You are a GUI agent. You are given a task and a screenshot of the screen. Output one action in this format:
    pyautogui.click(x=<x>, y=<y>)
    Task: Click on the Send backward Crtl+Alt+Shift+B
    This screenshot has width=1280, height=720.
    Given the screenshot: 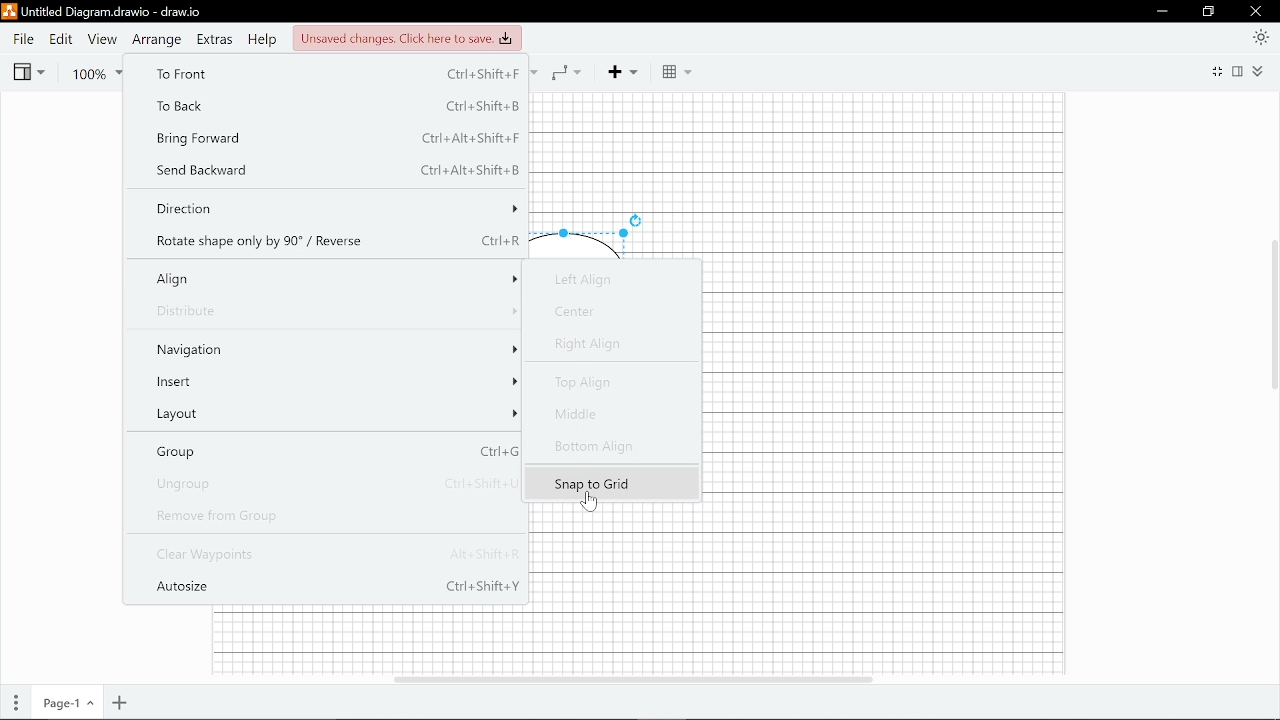 What is the action you would take?
    pyautogui.click(x=334, y=171)
    